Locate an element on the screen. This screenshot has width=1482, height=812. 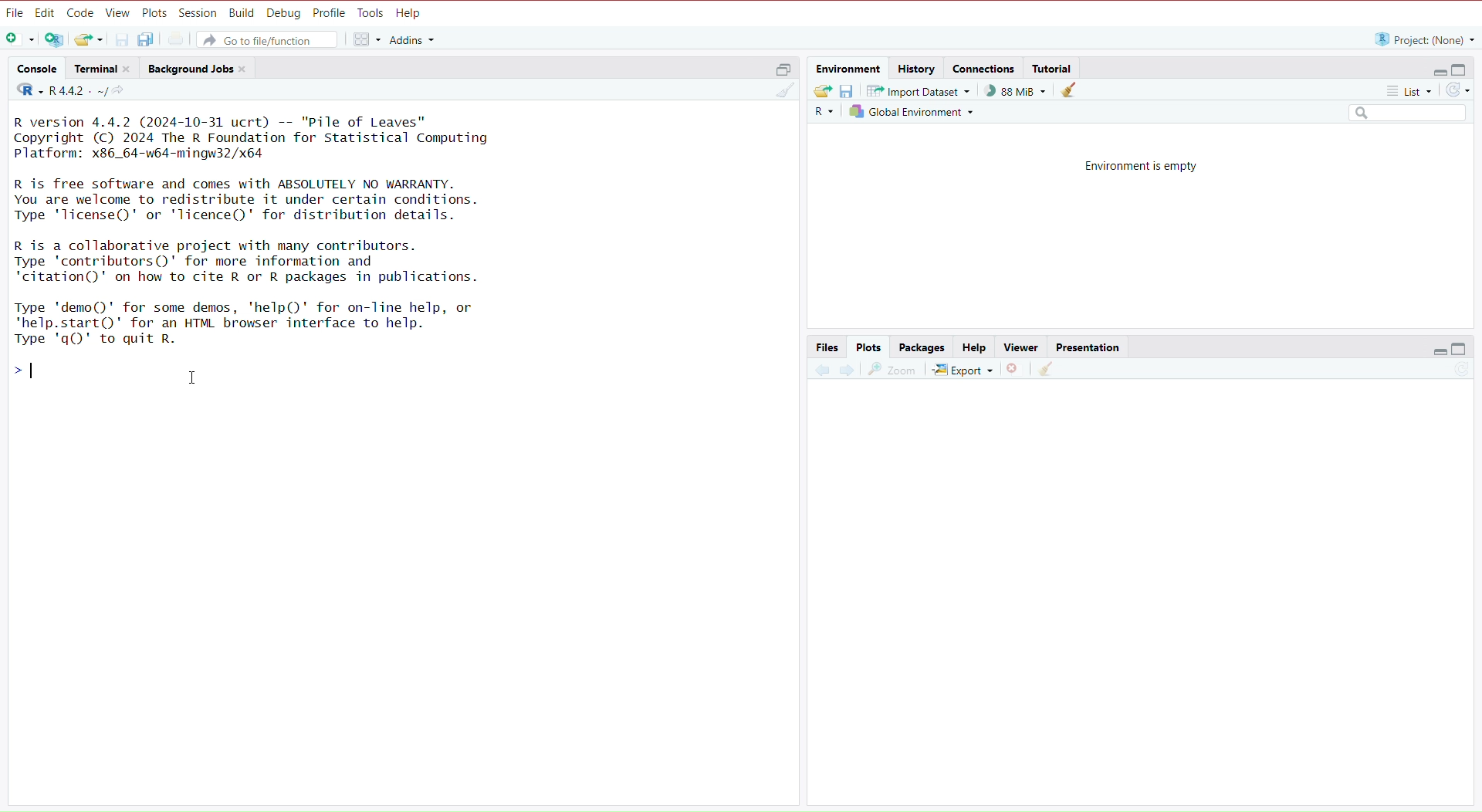
Print is located at coordinates (175, 39).